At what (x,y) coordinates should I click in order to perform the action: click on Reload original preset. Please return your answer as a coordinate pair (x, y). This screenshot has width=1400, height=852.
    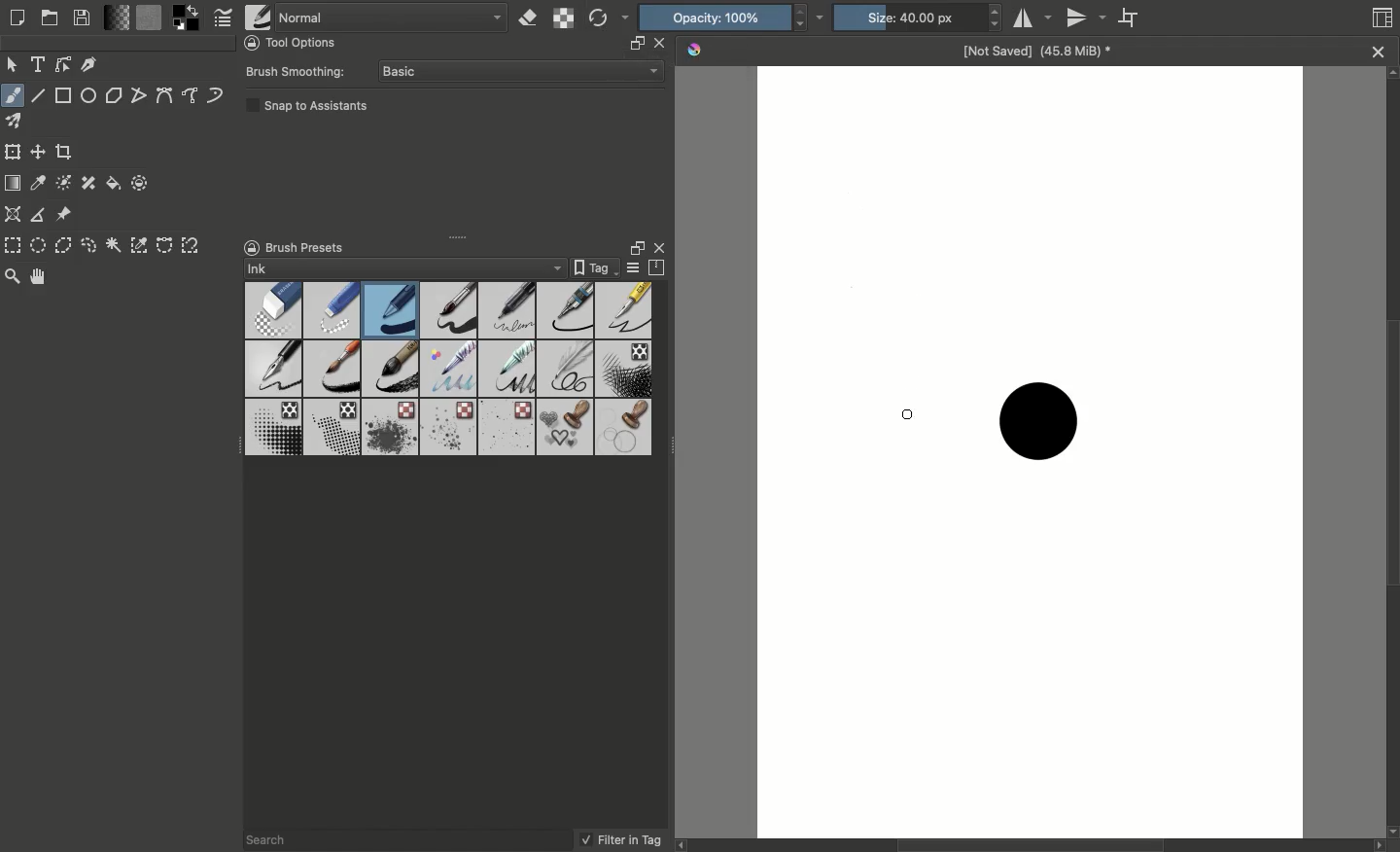
    Looking at the image, I should click on (608, 19).